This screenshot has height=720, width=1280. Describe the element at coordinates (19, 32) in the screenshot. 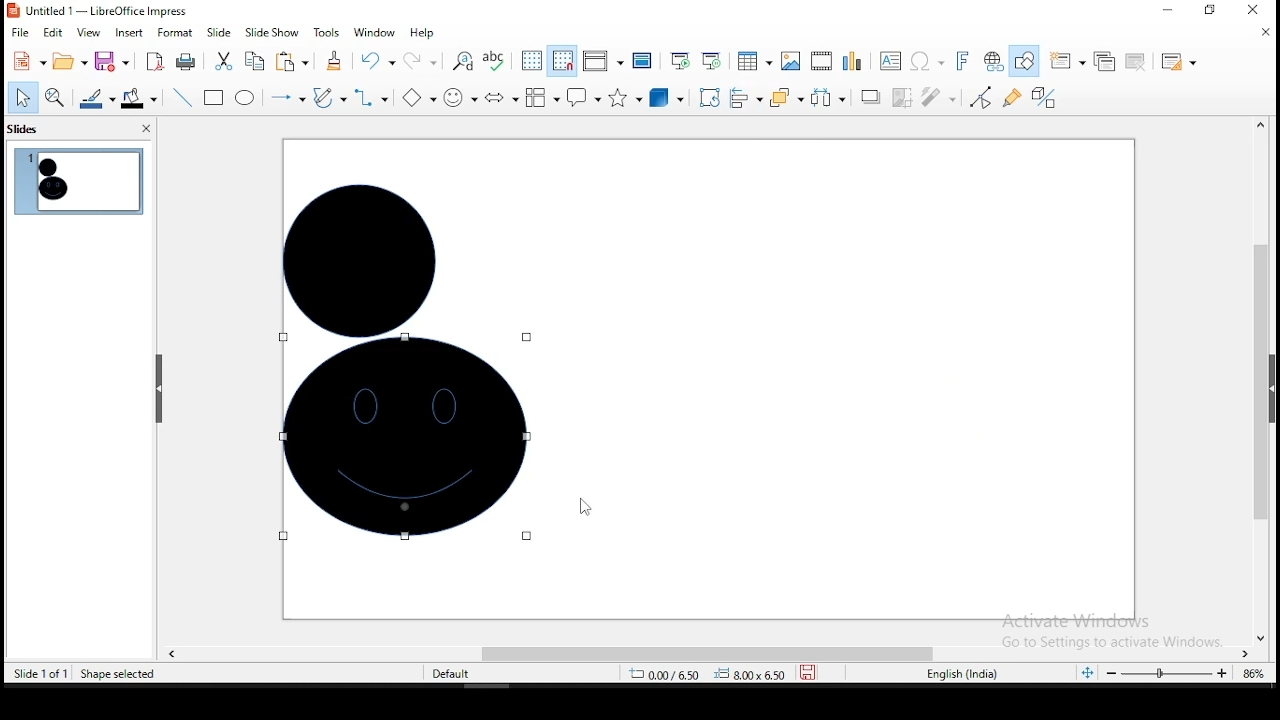

I see `file` at that location.